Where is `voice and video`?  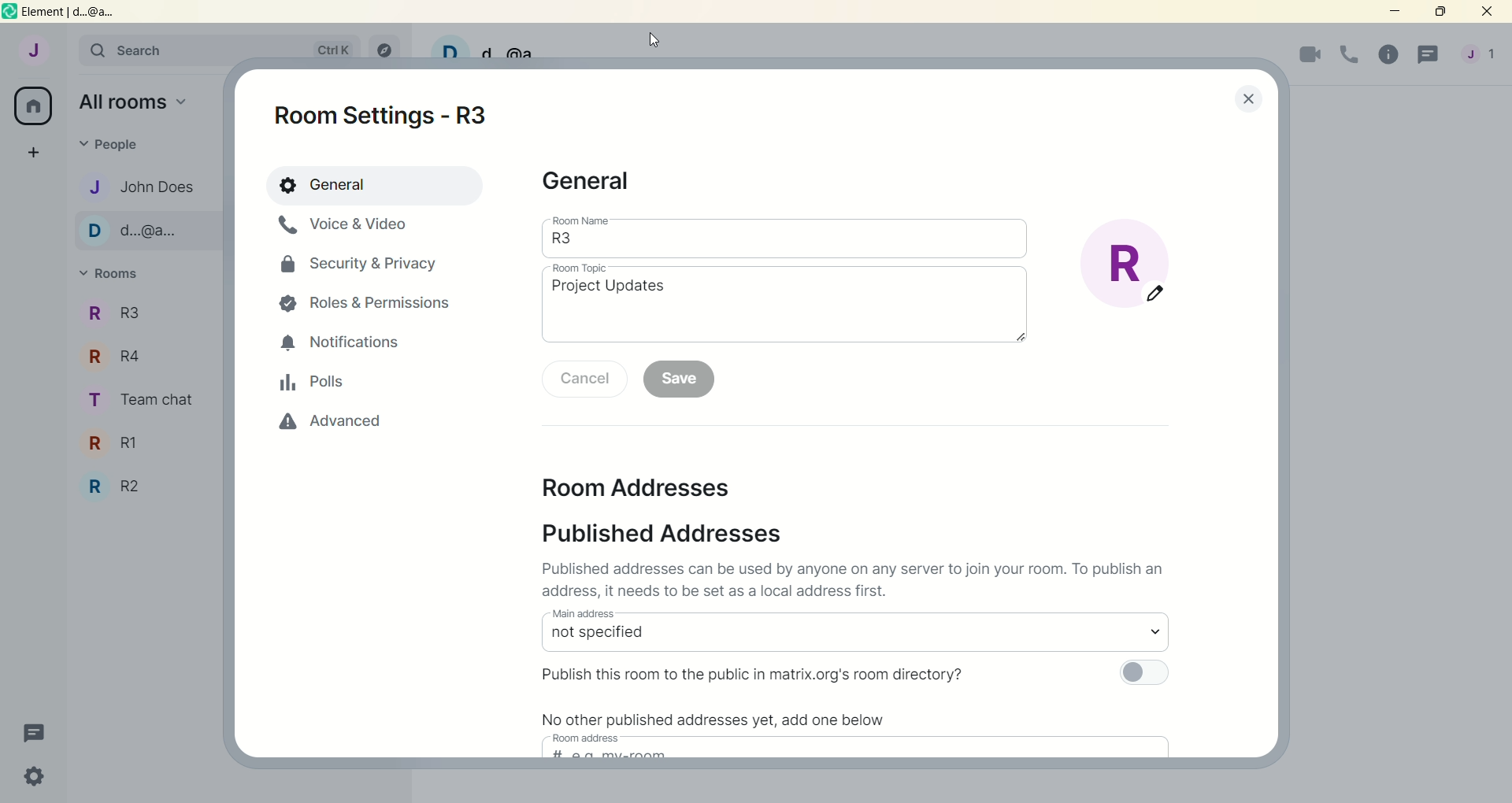 voice and video is located at coordinates (360, 226).